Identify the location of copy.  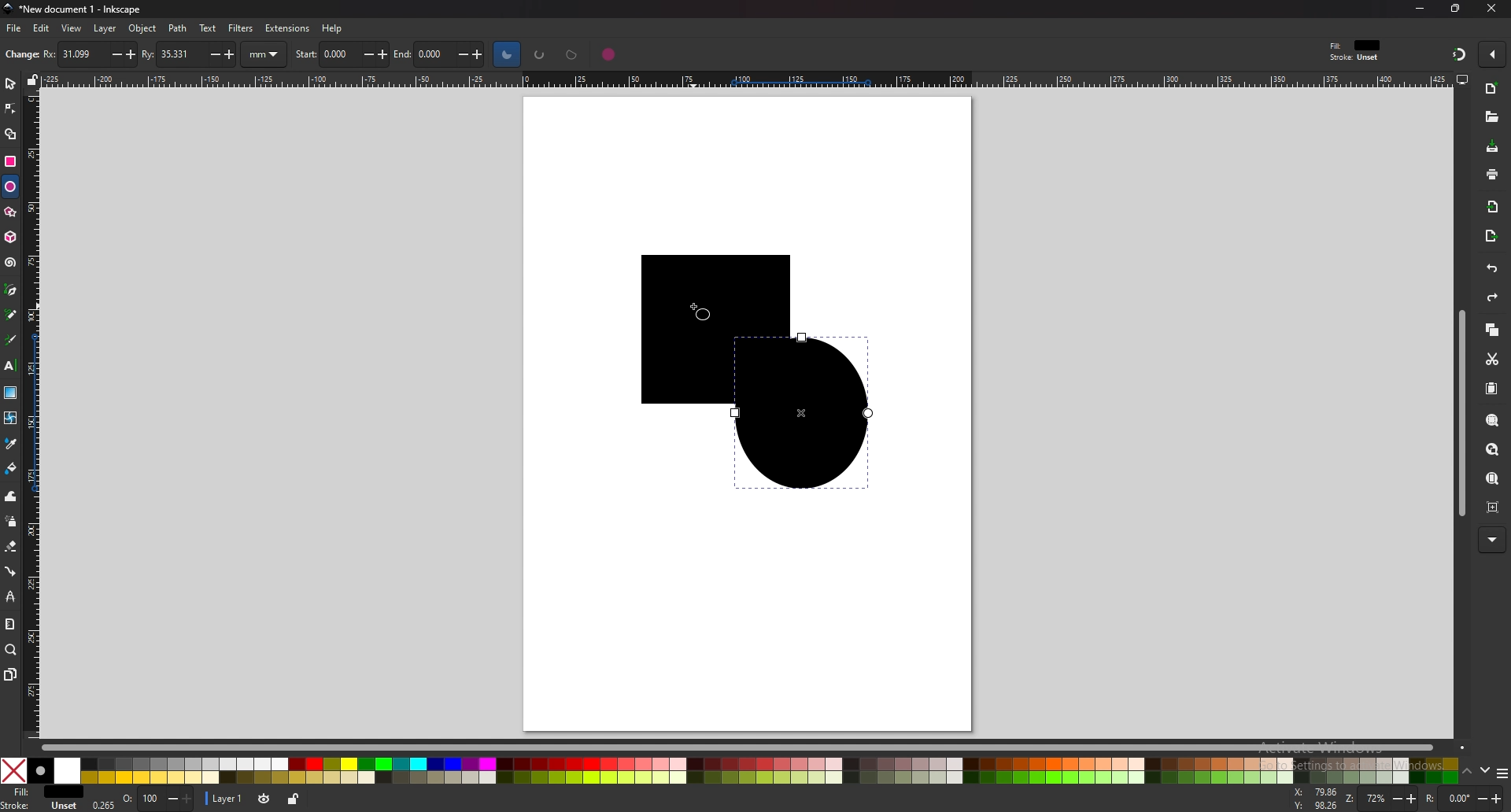
(1491, 329).